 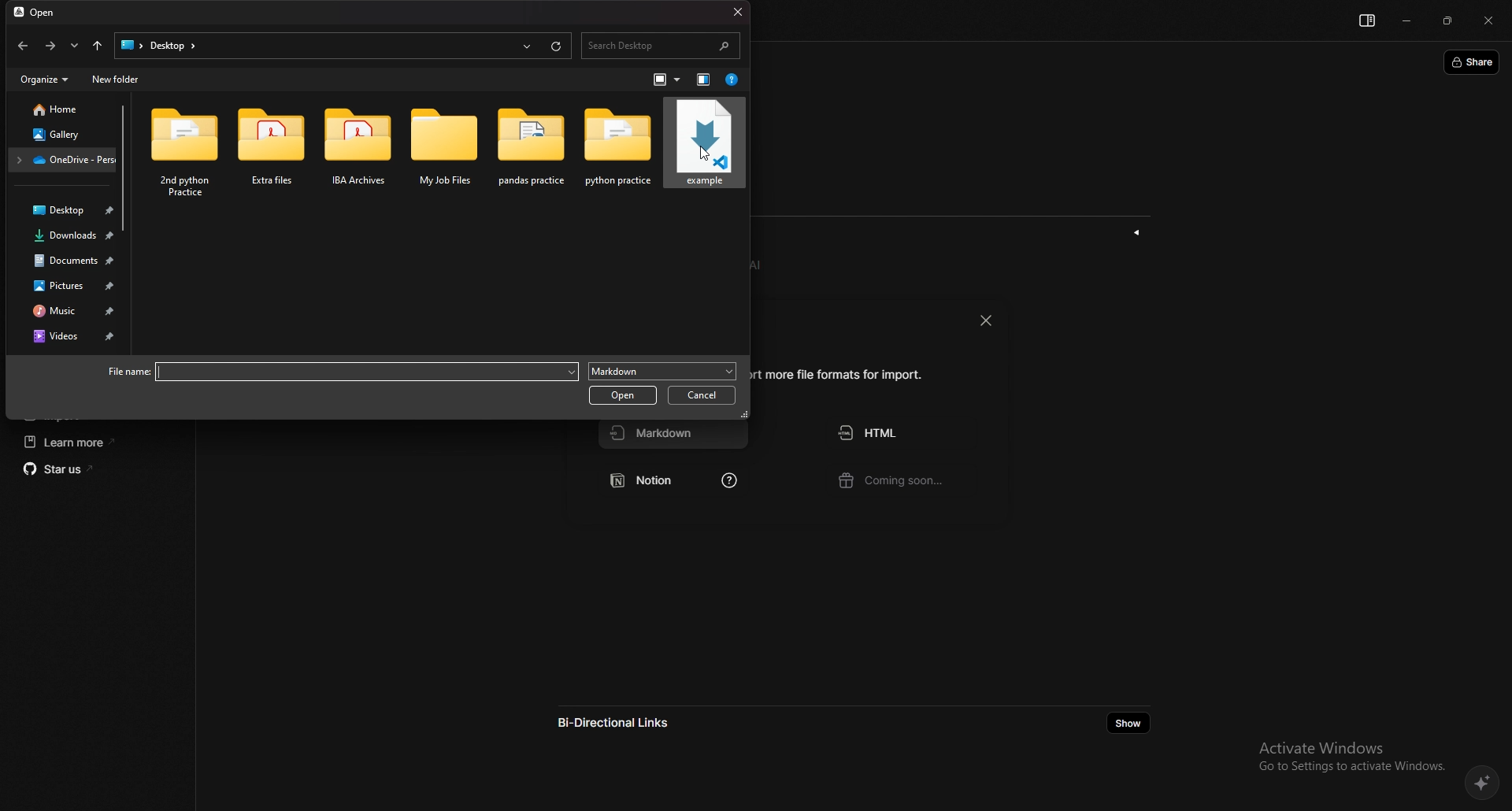 What do you see at coordinates (63, 160) in the screenshot?
I see `folder` at bounding box center [63, 160].